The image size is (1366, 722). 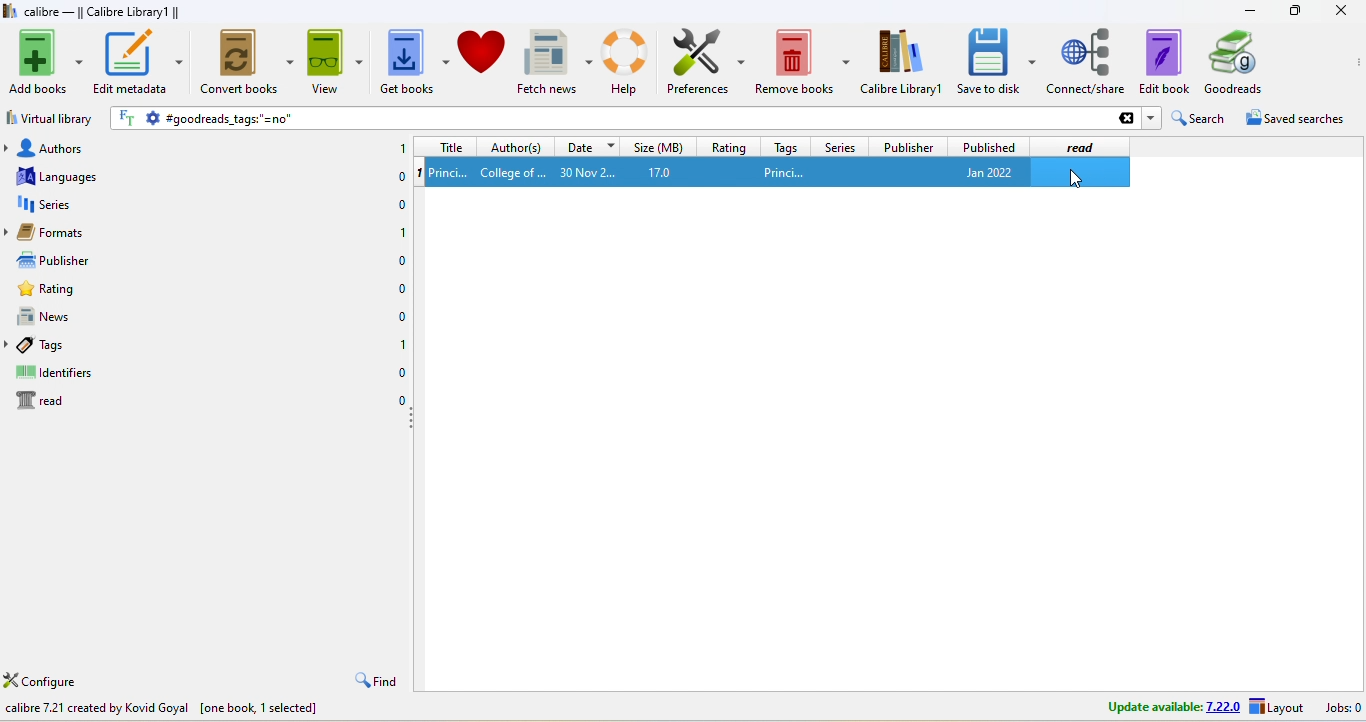 I want to click on cursor, so click(x=1075, y=180).